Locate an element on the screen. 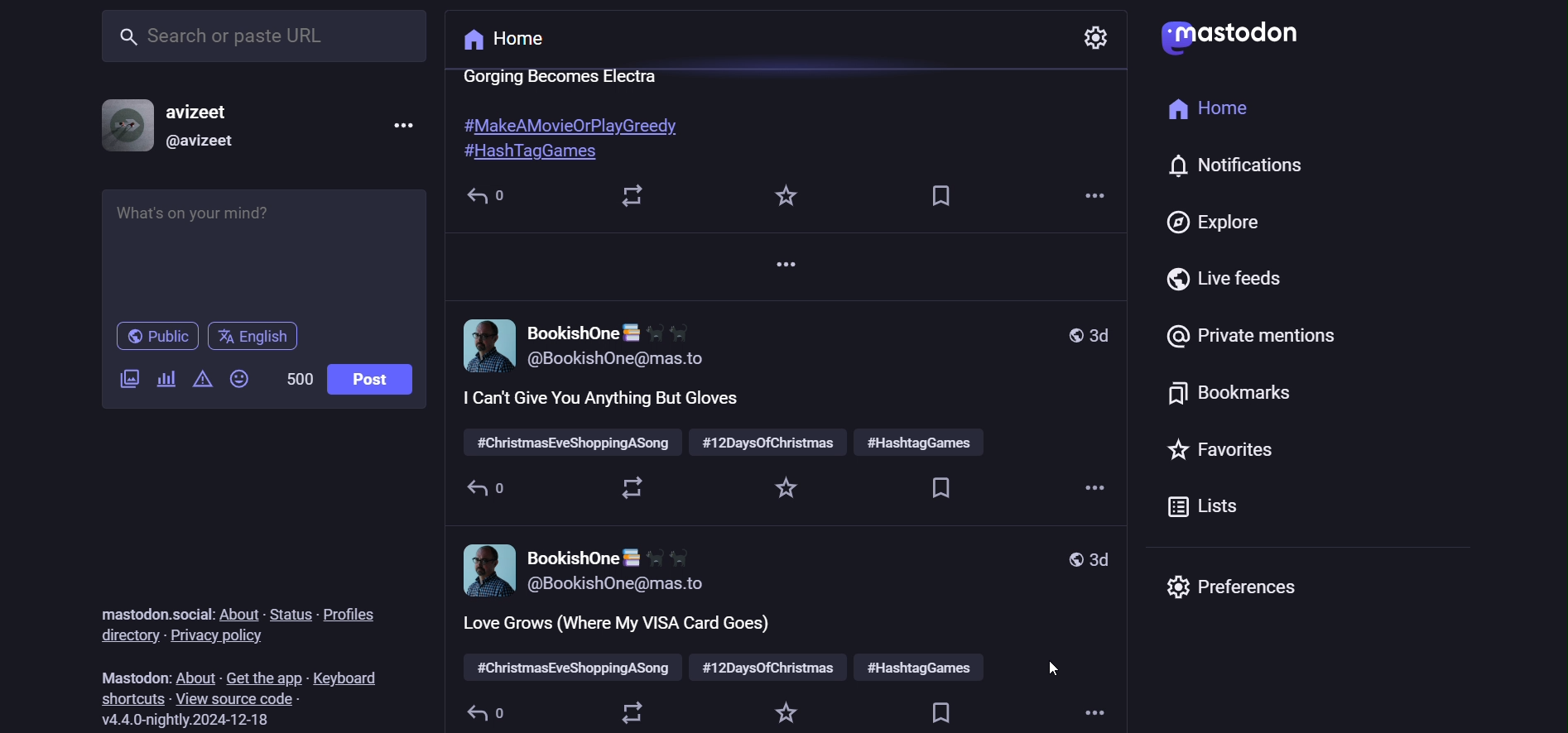 This screenshot has height=733, width=1568. home is located at coordinates (1205, 109).